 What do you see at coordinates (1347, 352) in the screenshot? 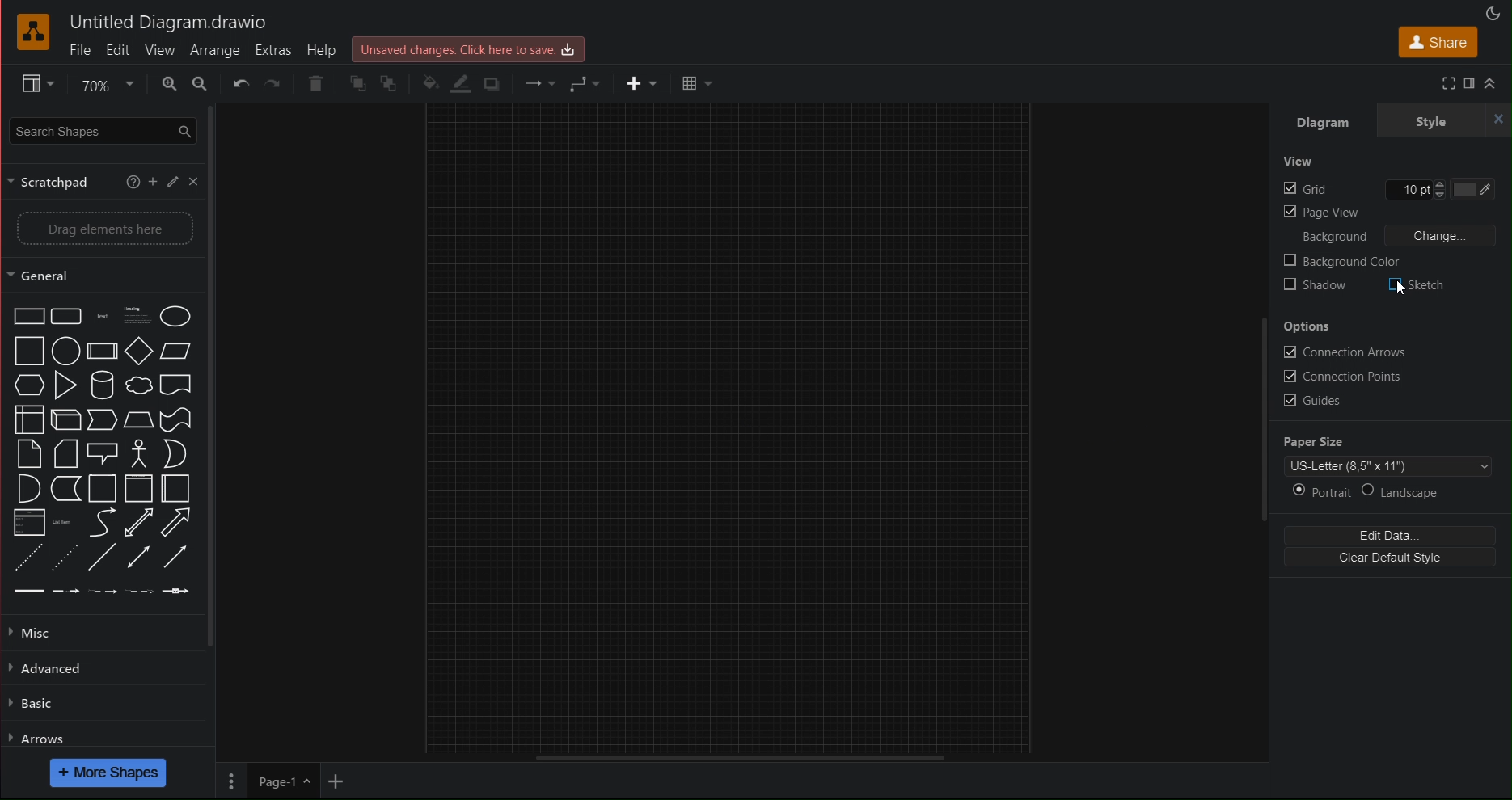
I see `Connection Arrows` at bounding box center [1347, 352].